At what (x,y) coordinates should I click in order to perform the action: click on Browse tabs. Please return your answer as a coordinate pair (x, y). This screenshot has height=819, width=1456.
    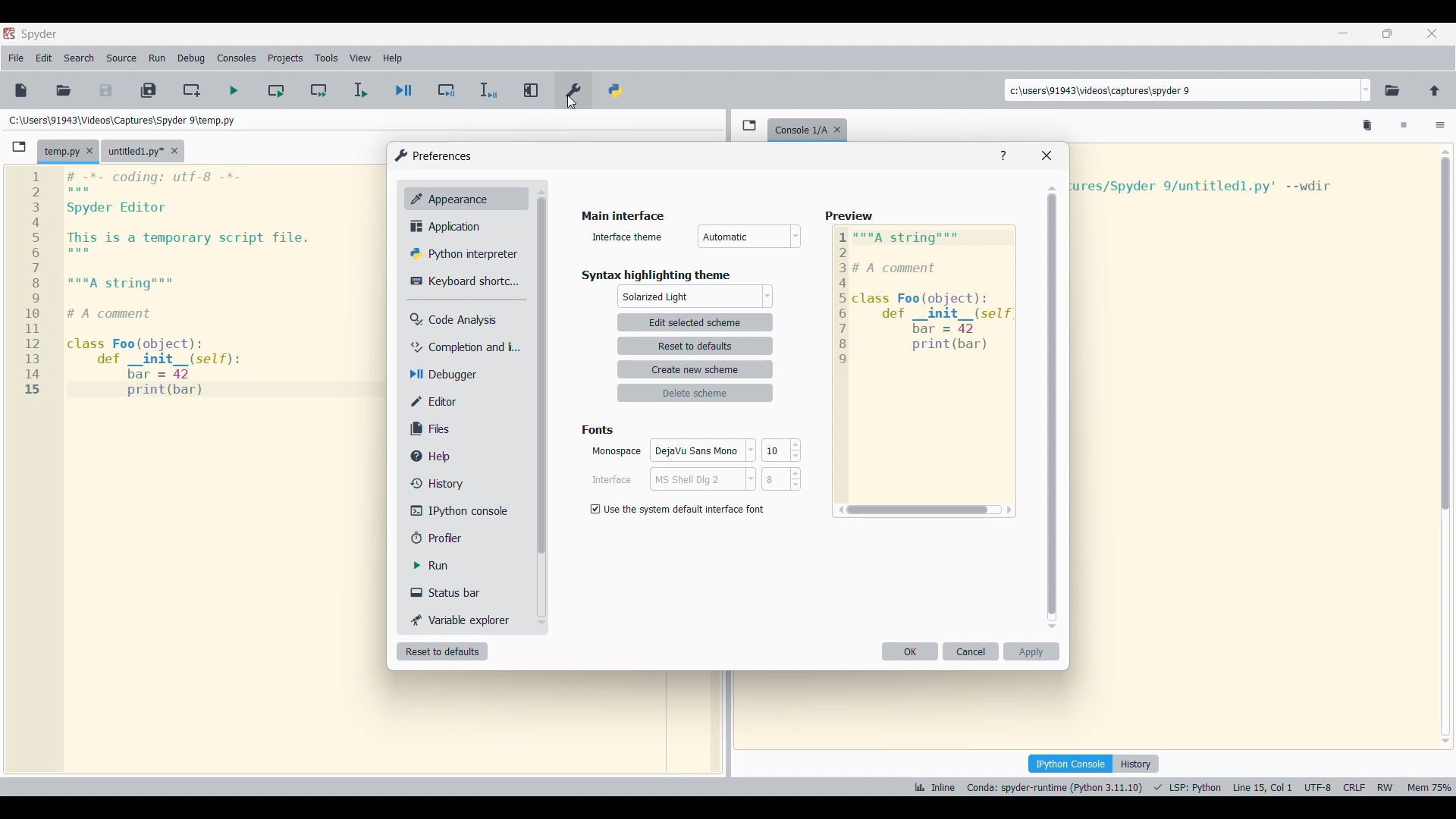
    Looking at the image, I should click on (749, 125).